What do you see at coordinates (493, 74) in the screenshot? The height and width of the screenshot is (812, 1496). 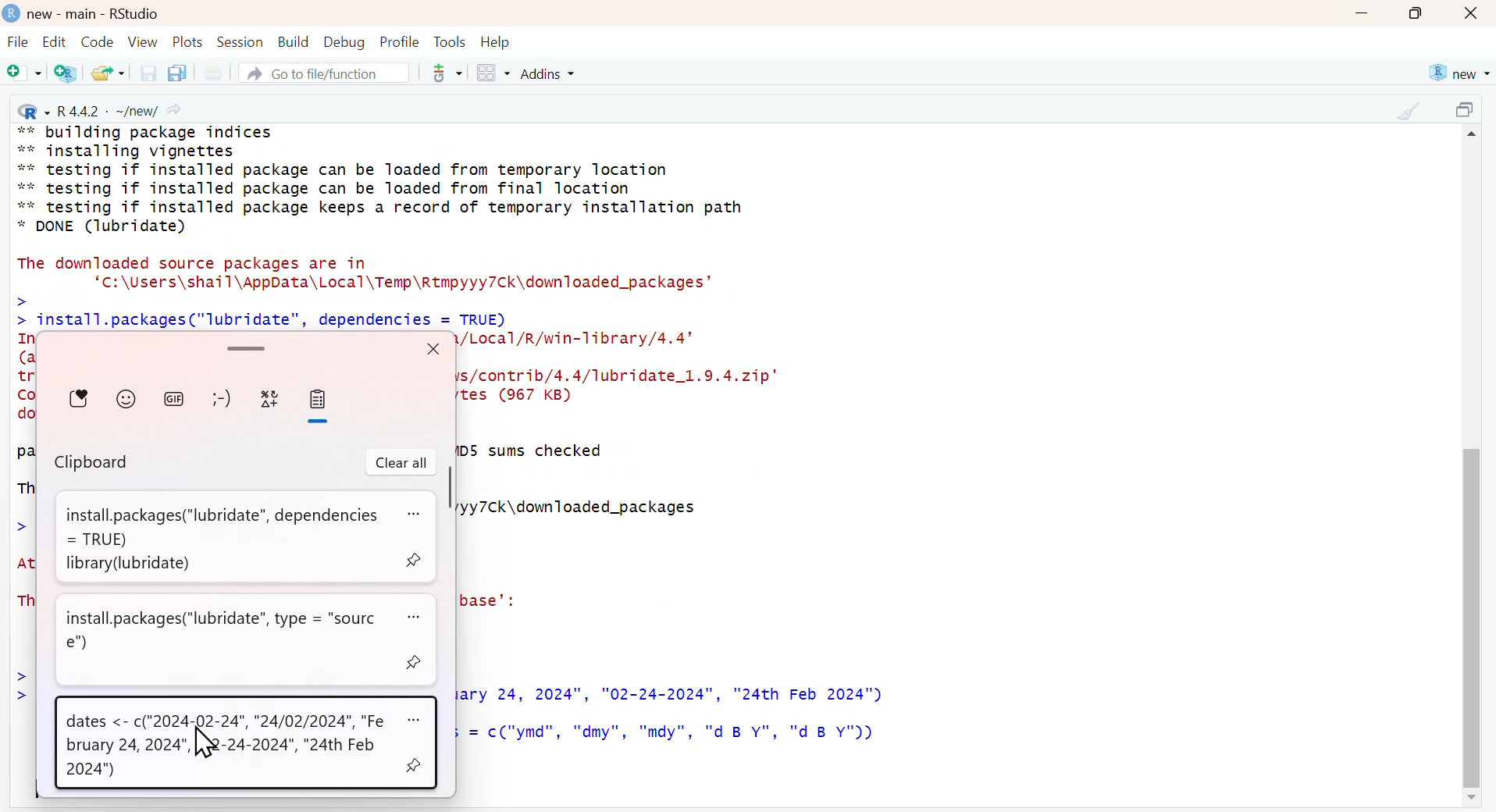 I see `Workspace panes` at bounding box center [493, 74].